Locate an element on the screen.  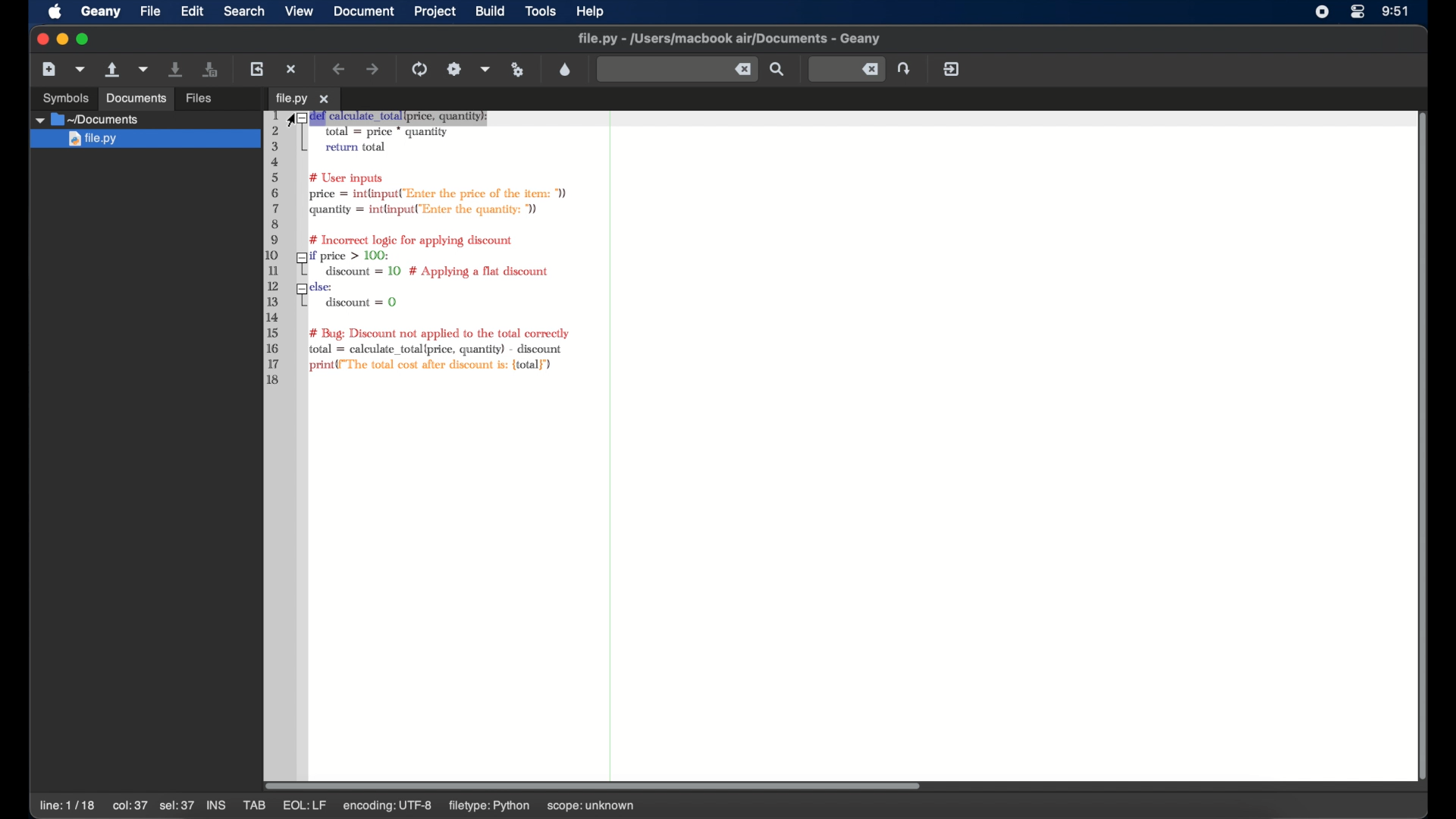
maximize is located at coordinates (83, 39).